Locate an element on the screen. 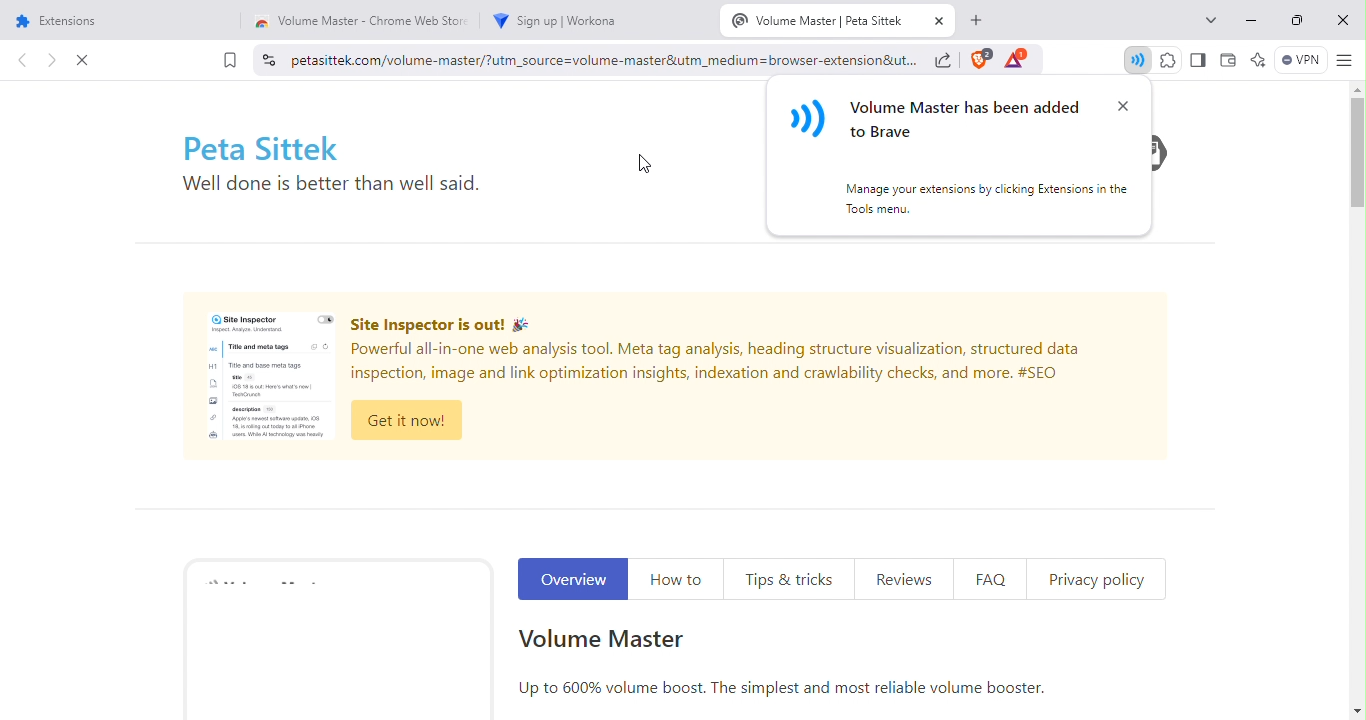  Volume master extension information is located at coordinates (778, 663).